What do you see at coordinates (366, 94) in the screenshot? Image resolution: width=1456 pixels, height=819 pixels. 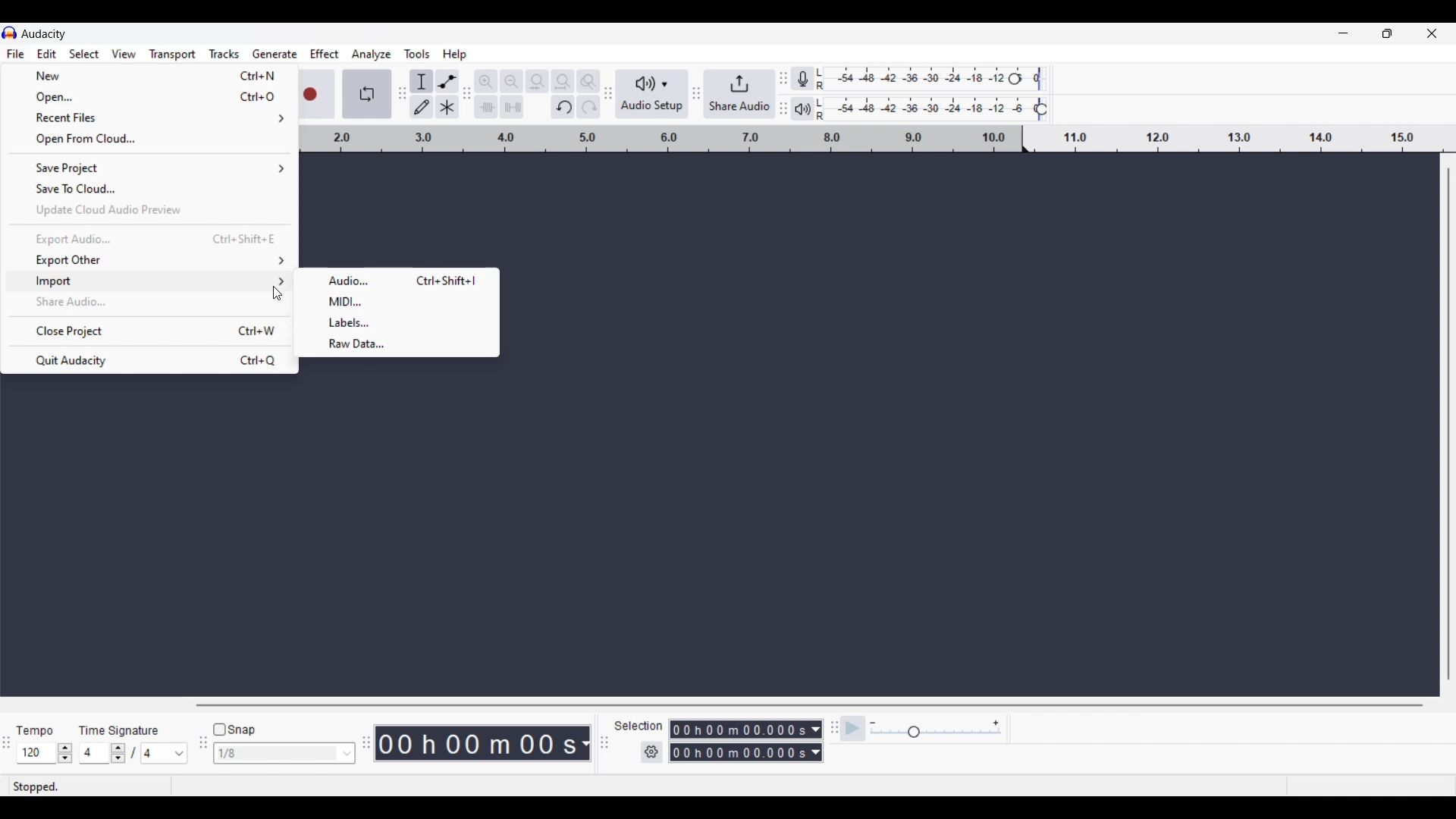 I see `Enable looping` at bounding box center [366, 94].